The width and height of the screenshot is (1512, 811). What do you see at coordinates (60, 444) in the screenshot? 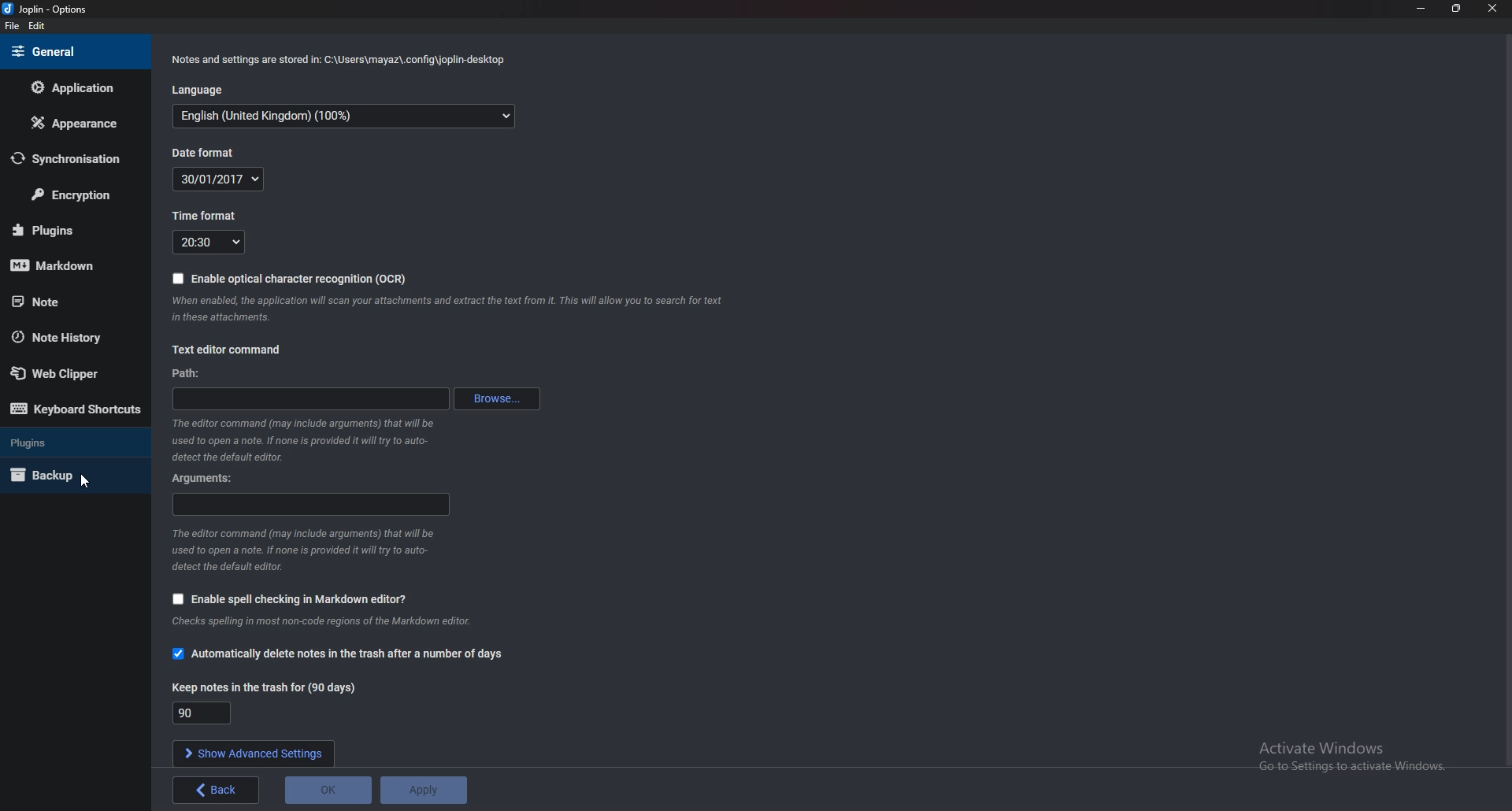
I see `Plugins` at bounding box center [60, 444].